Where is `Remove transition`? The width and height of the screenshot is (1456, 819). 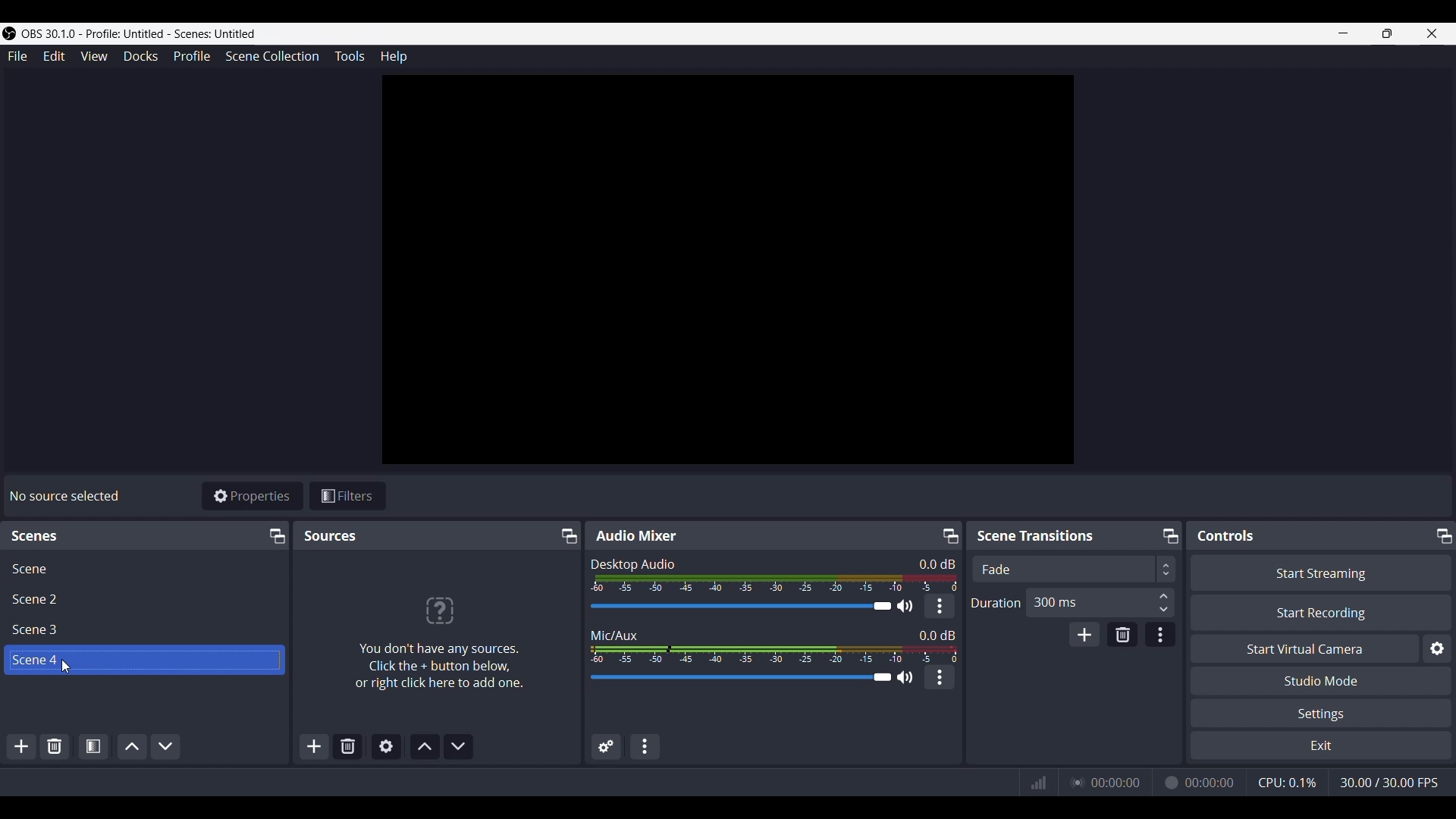 Remove transition is located at coordinates (1121, 635).